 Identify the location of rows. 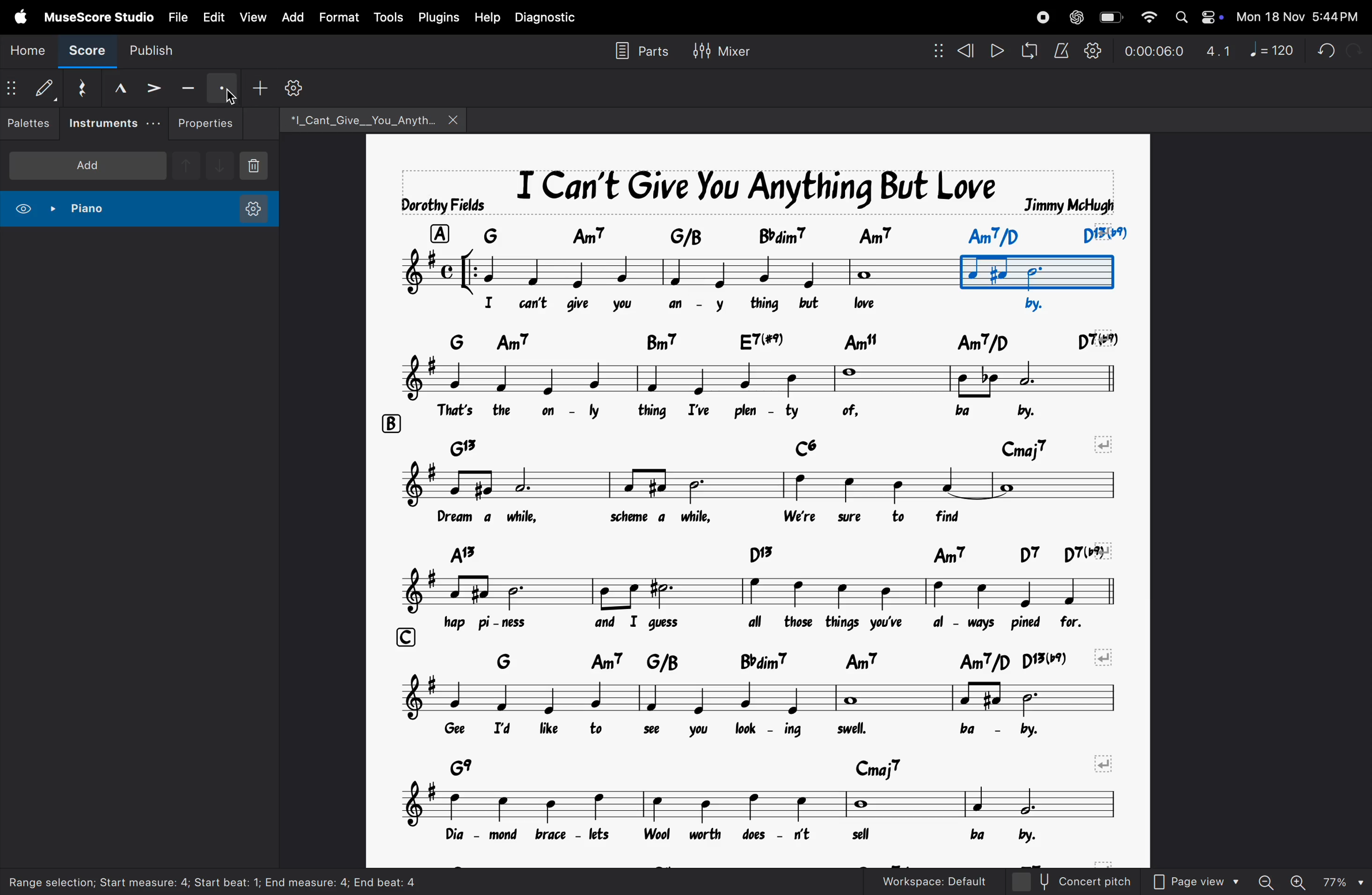
(390, 422).